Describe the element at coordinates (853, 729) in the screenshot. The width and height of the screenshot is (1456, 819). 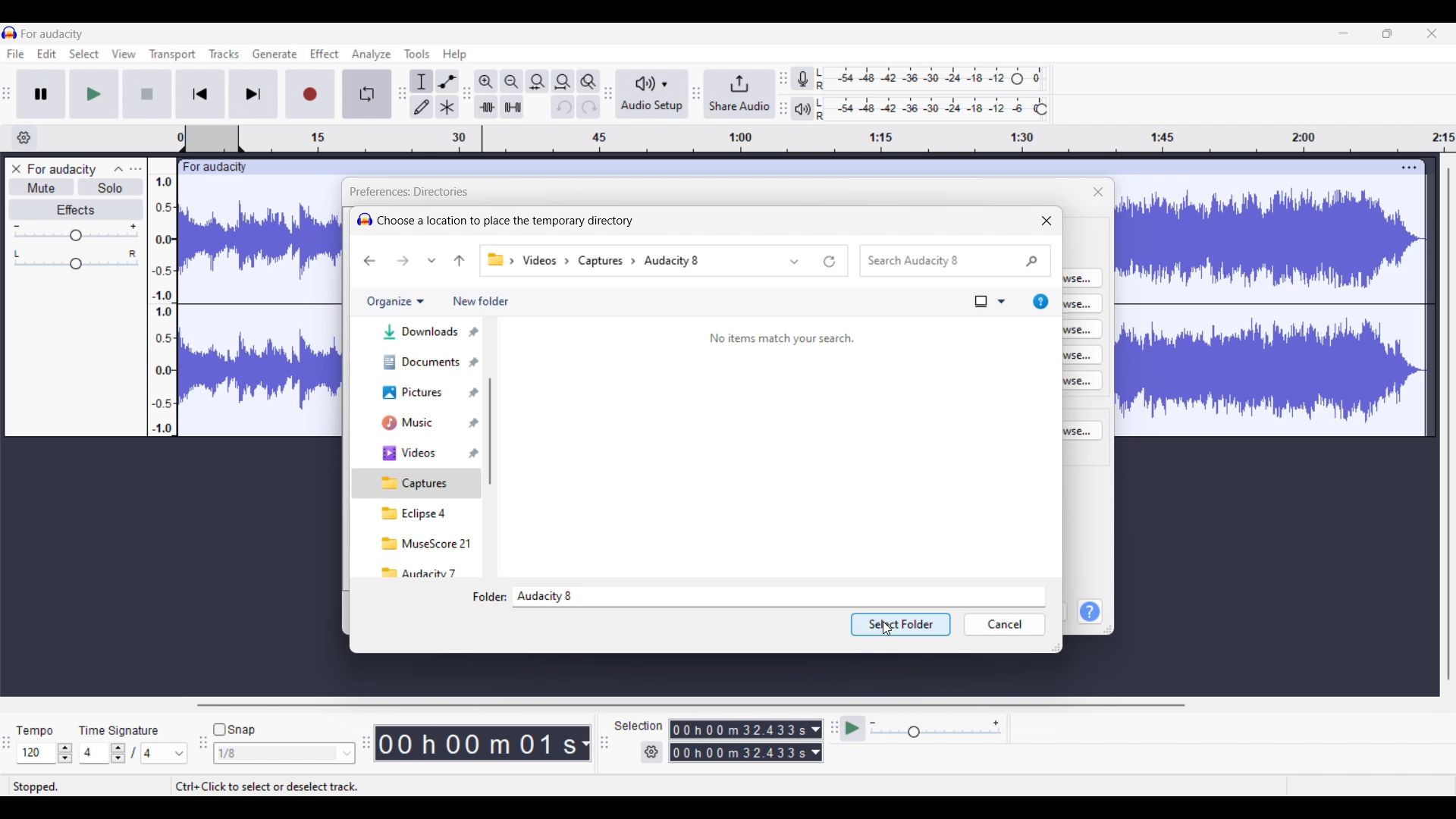
I see `Play at speed/Play at speed once` at that location.